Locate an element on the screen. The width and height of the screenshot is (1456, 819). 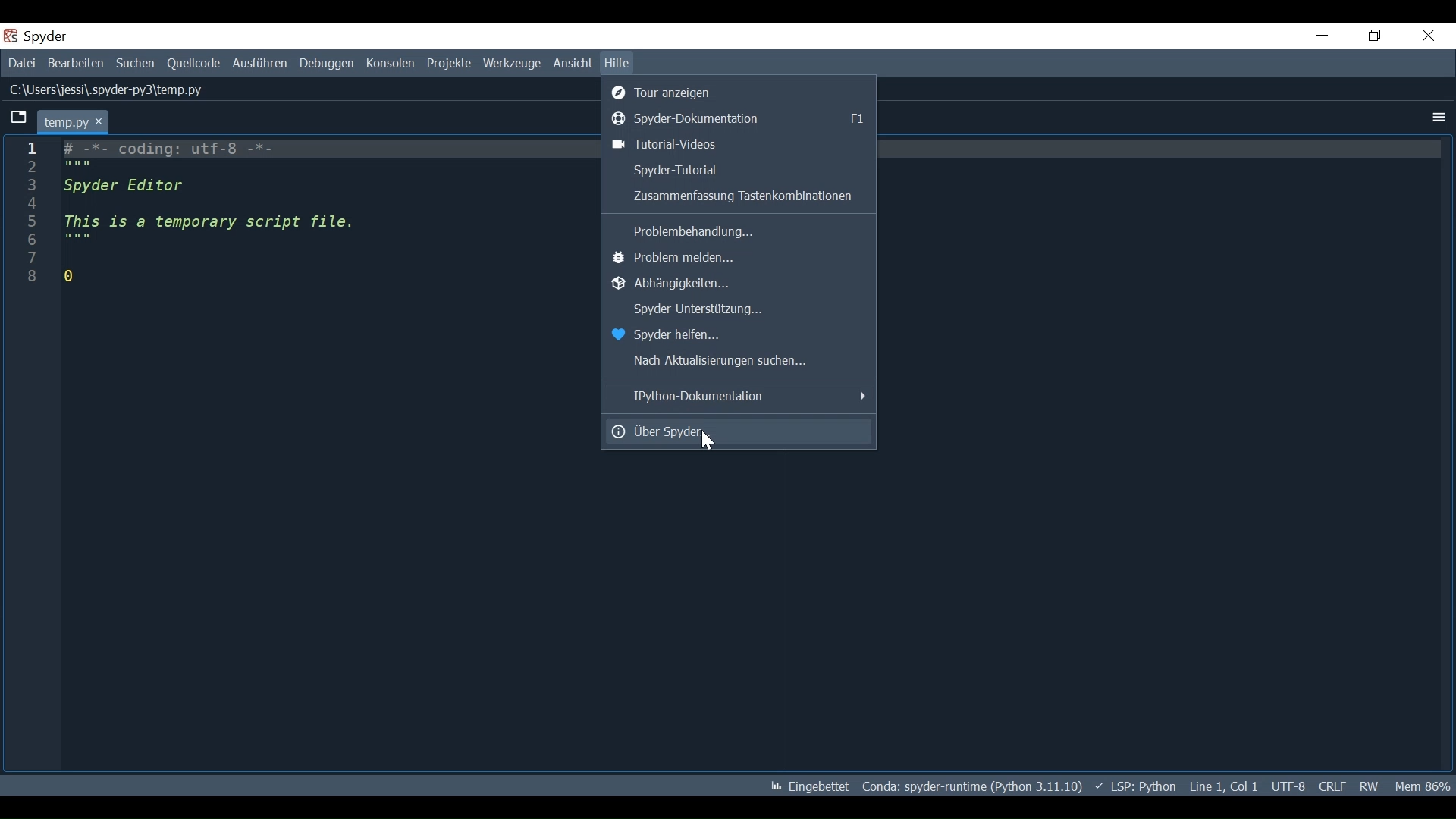
Nach Aktualisierungen suchen... is located at coordinates (726, 361).